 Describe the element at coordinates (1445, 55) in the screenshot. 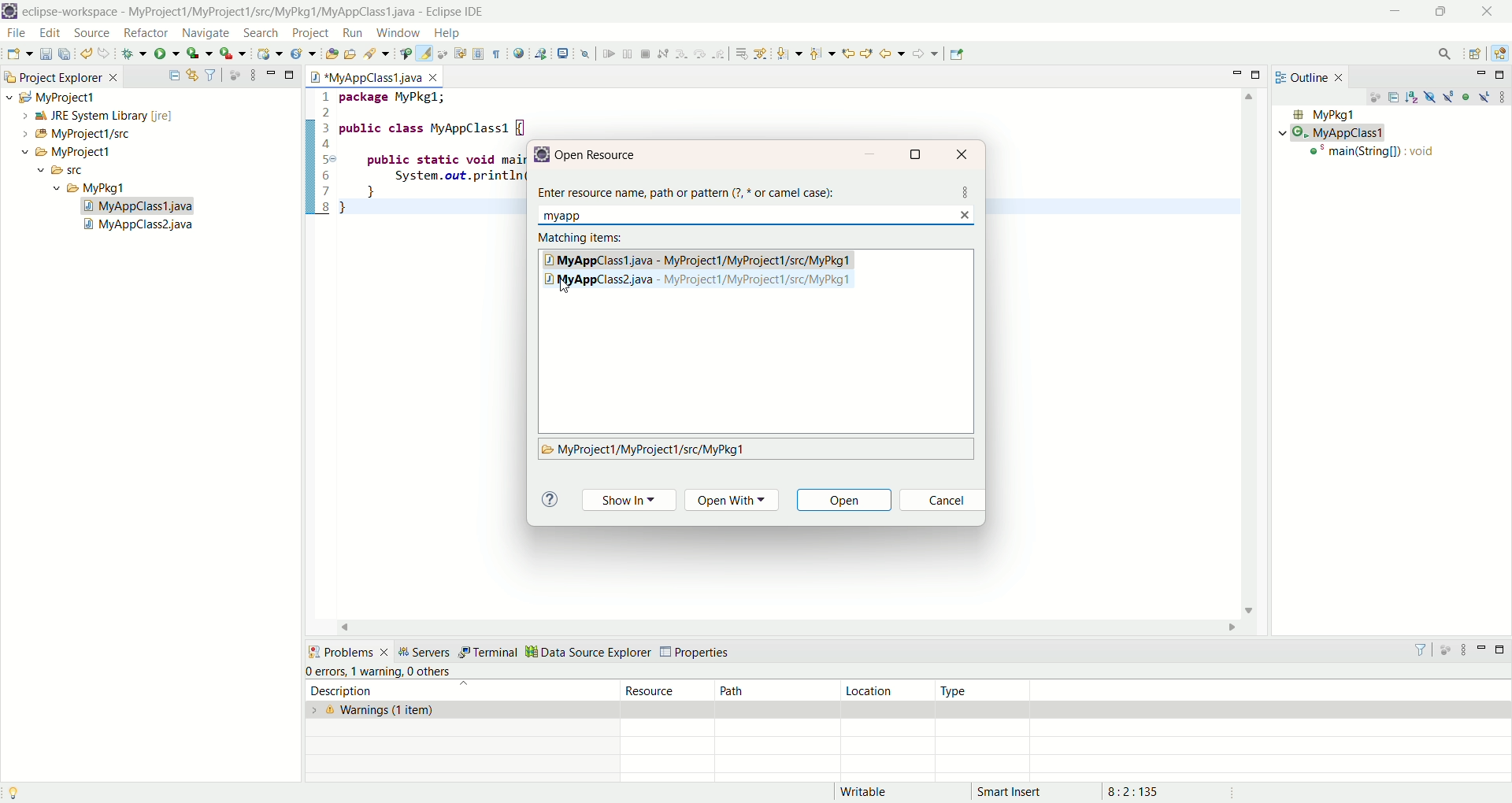

I see `search` at that location.